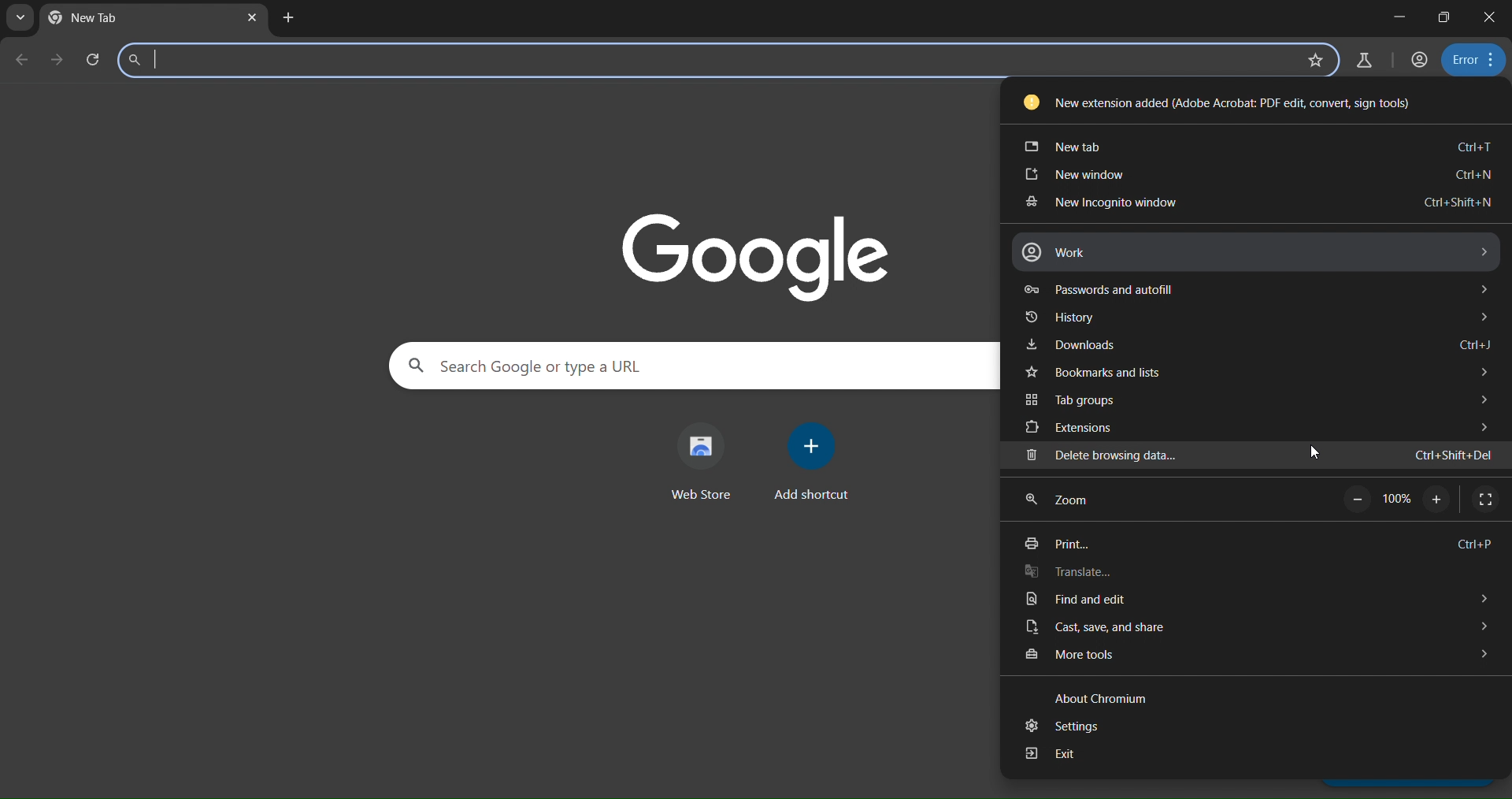  Describe the element at coordinates (1421, 61) in the screenshot. I see `accounts` at that location.